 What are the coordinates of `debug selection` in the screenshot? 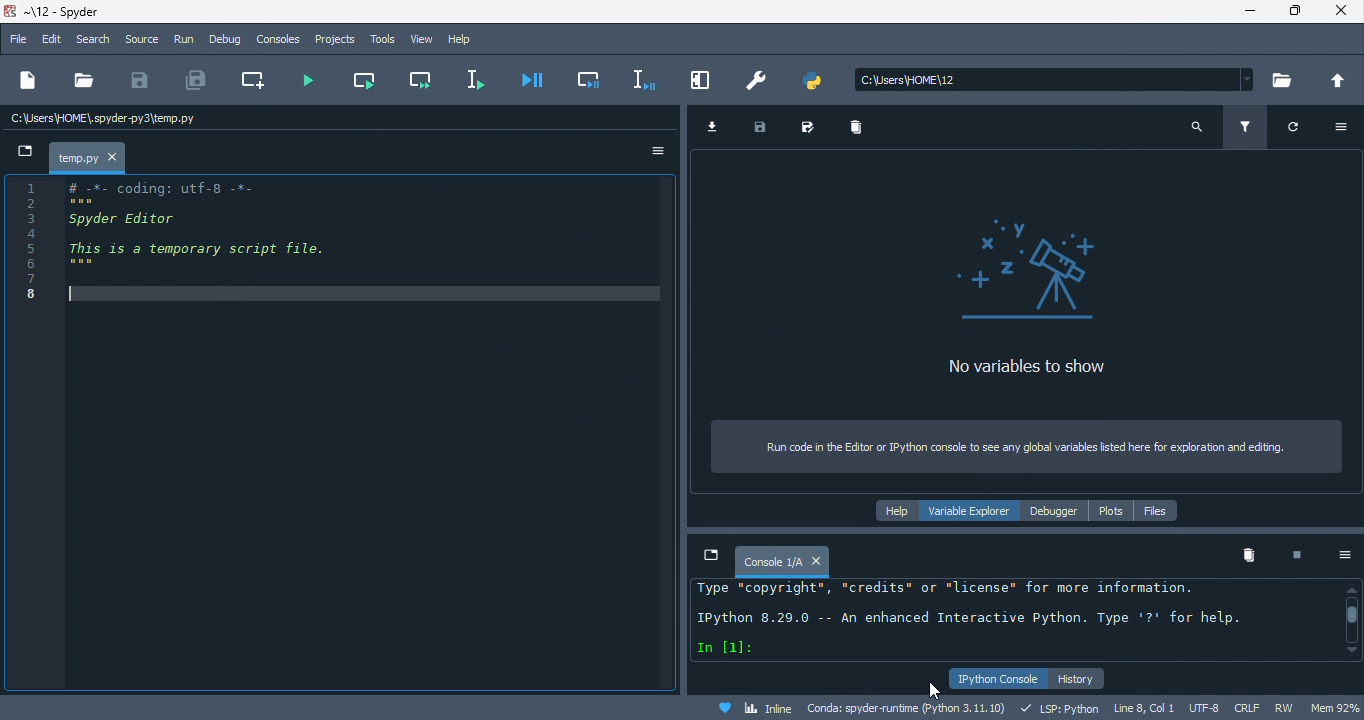 It's located at (642, 79).